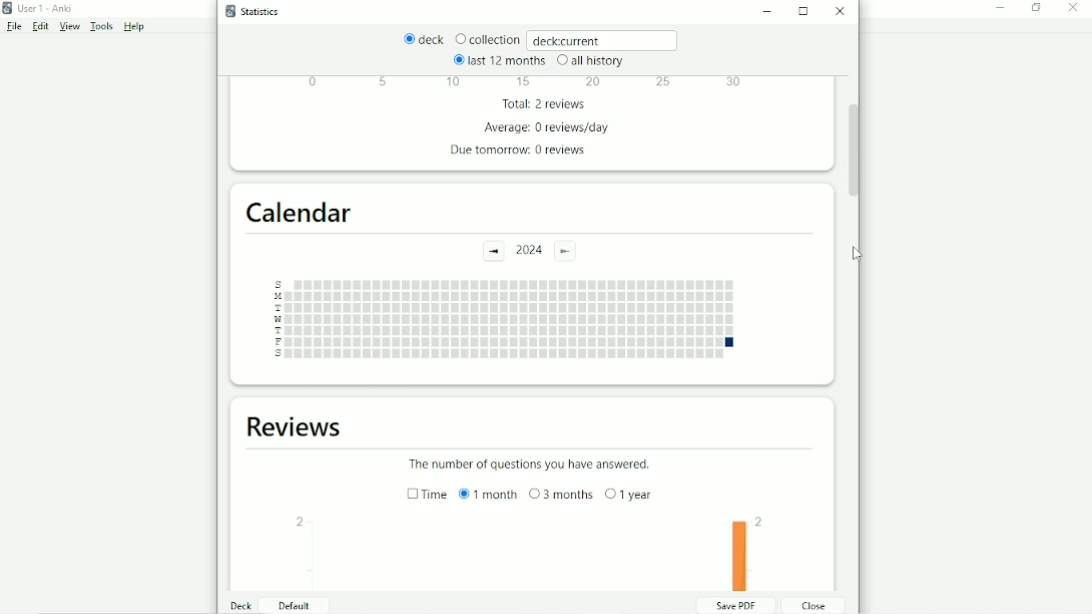  What do you see at coordinates (492, 249) in the screenshot?
I see `Previous` at bounding box center [492, 249].